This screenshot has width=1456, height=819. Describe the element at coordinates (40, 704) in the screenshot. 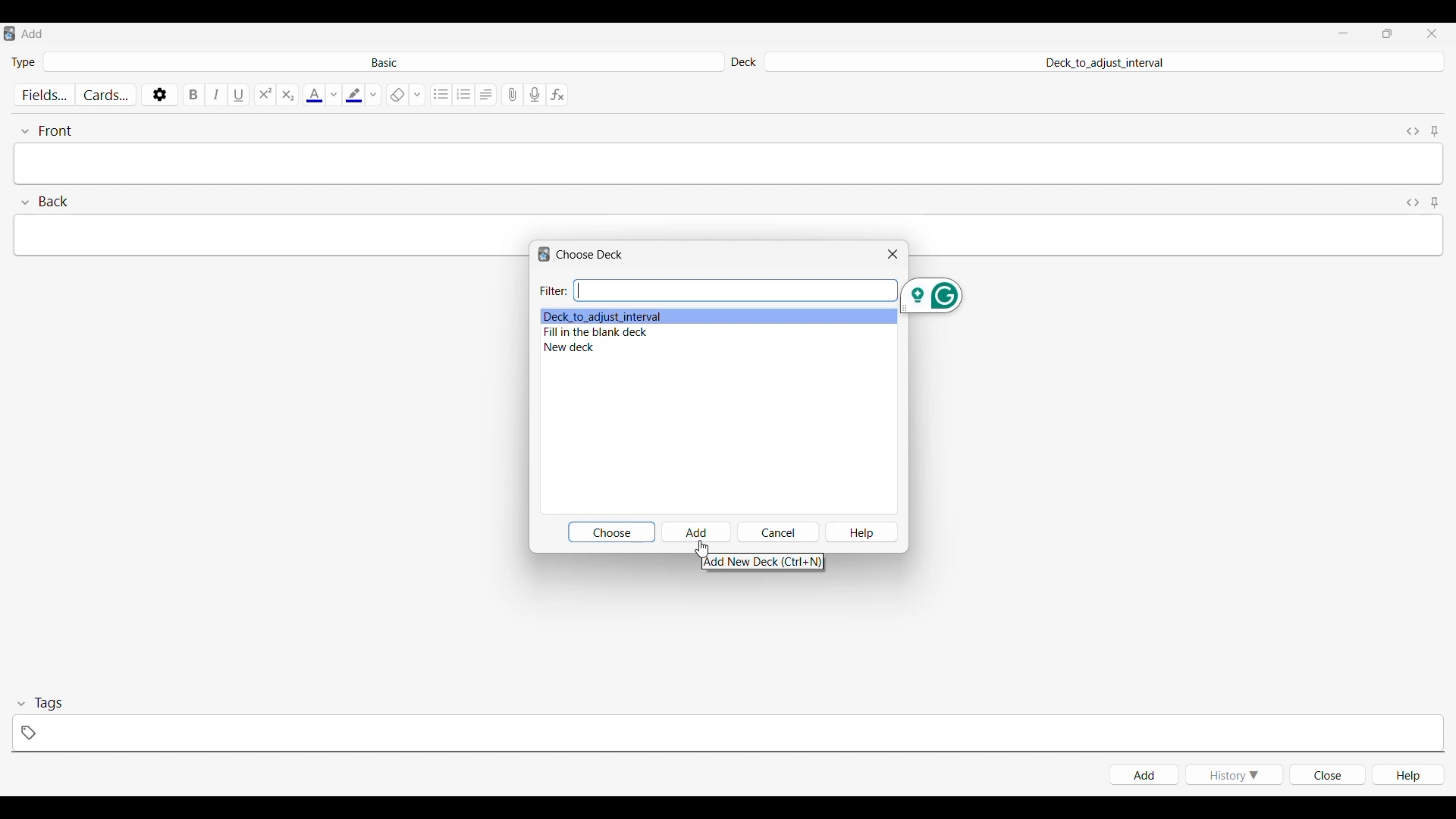

I see `Collapse tags` at that location.